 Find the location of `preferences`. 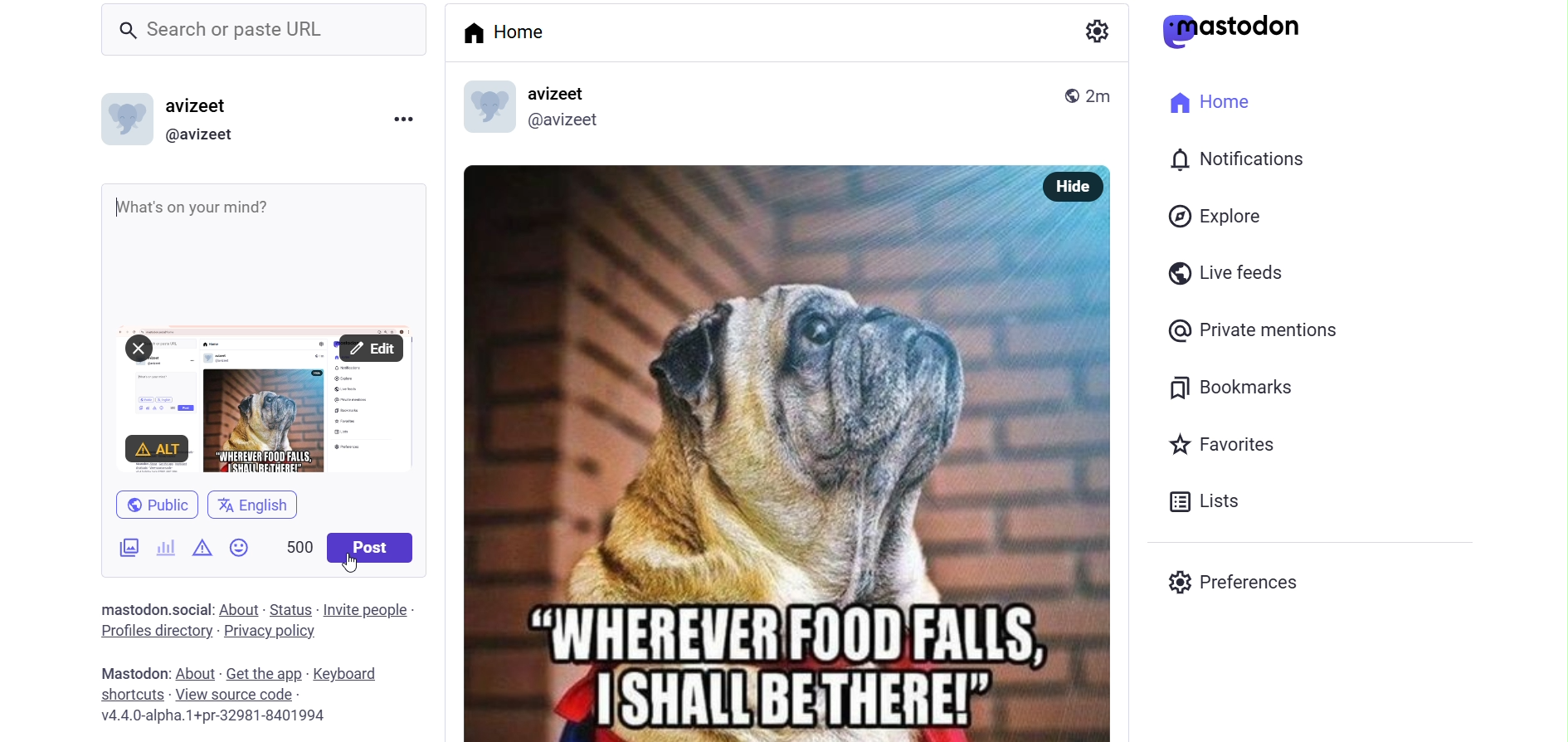

preferences is located at coordinates (1238, 580).